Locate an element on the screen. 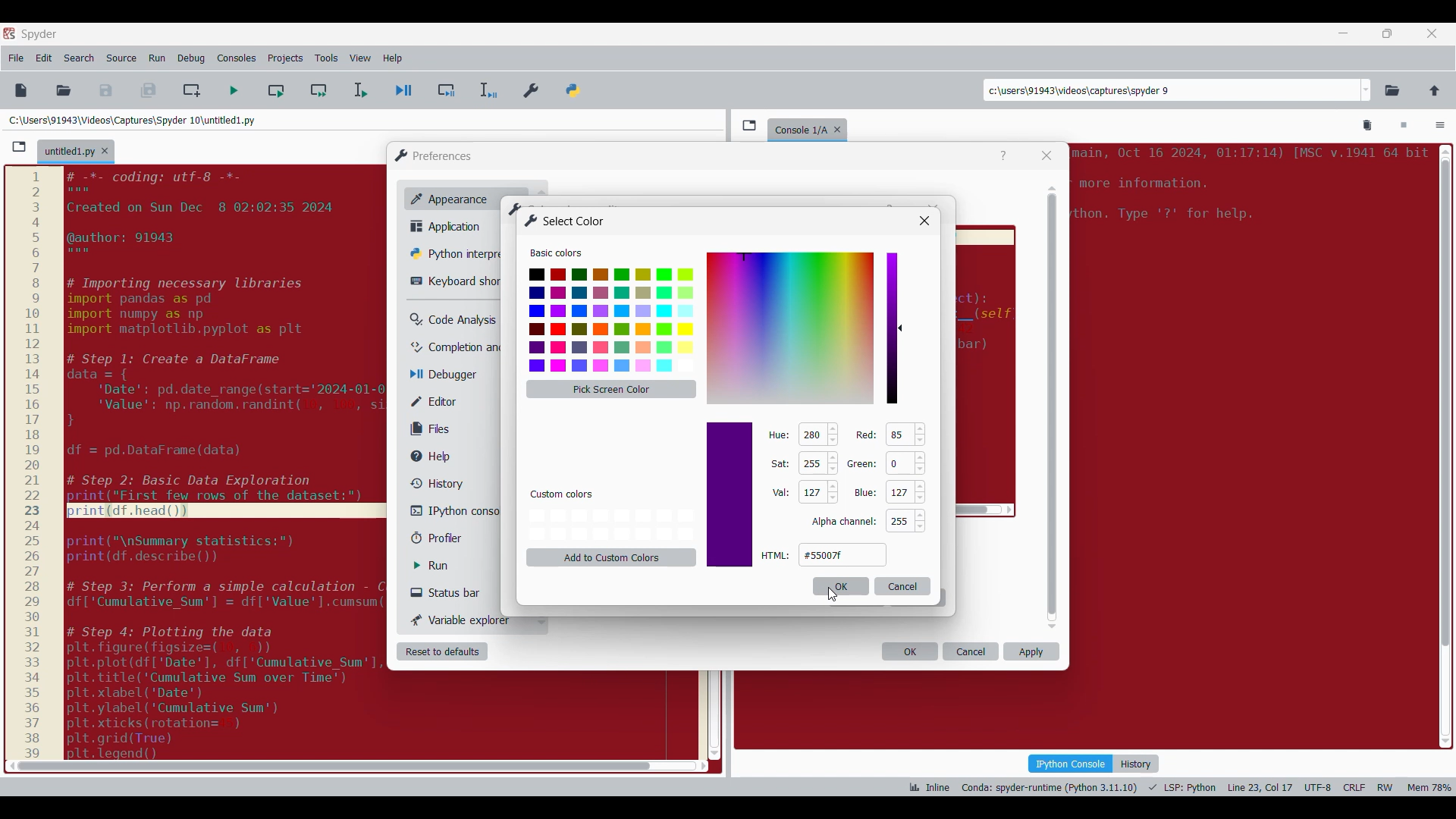 The image size is (1456, 819). Python interpreter is located at coordinates (453, 253).